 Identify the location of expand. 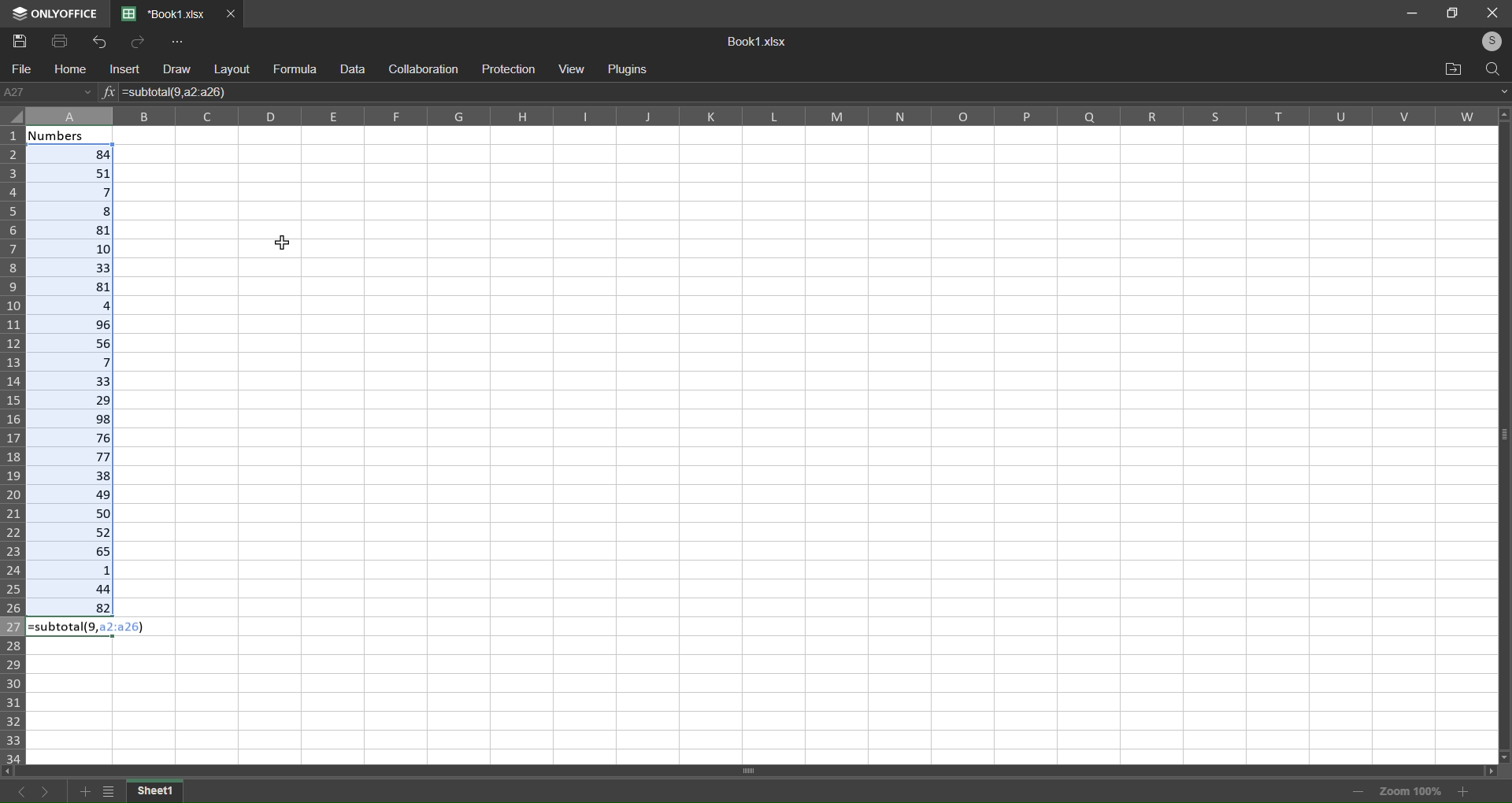
(1501, 89).